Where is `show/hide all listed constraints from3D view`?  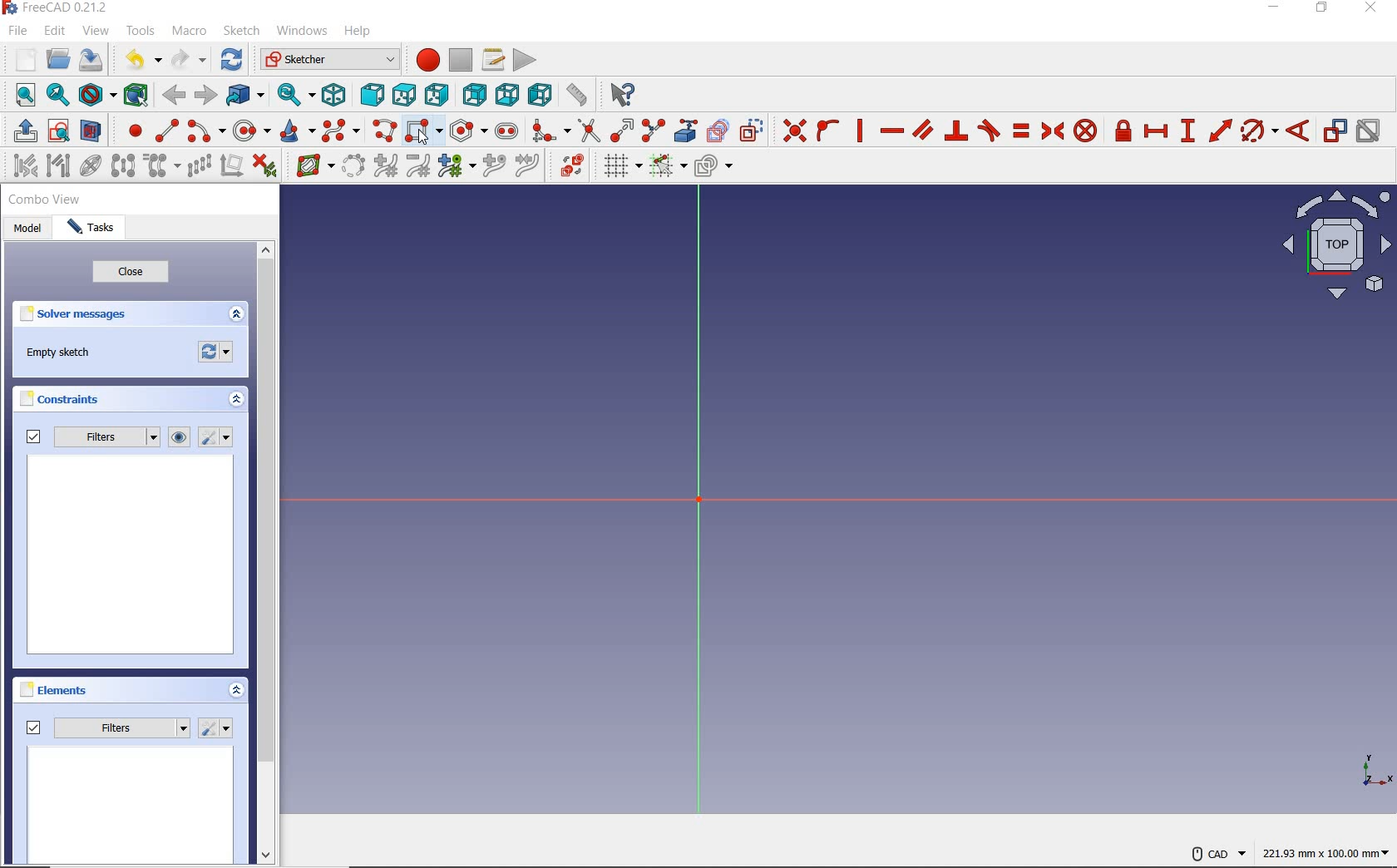
show/hide all listed constraints from3D view is located at coordinates (180, 437).